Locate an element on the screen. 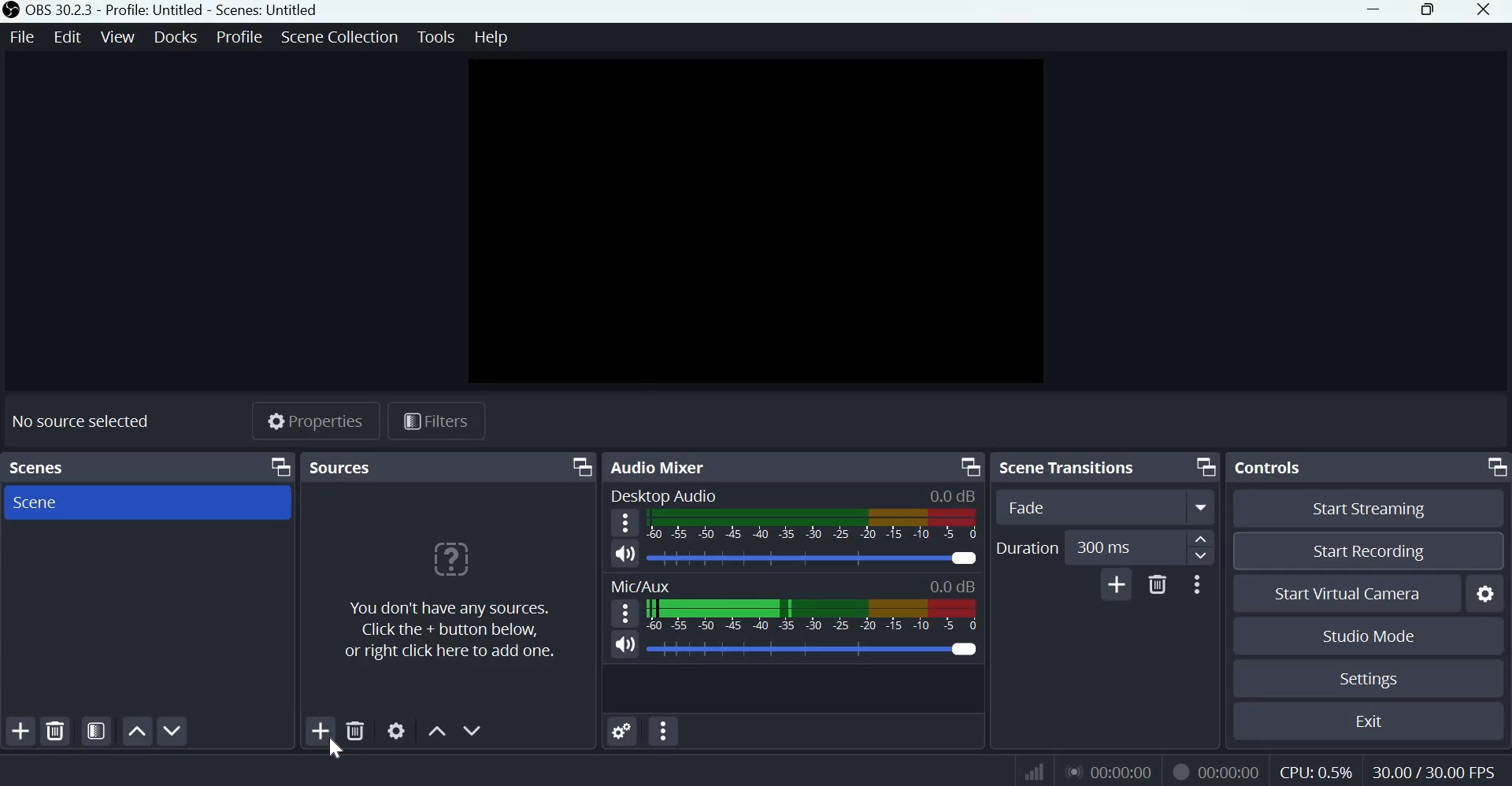 The height and width of the screenshot is (786, 1512). file is located at coordinates (23, 36).